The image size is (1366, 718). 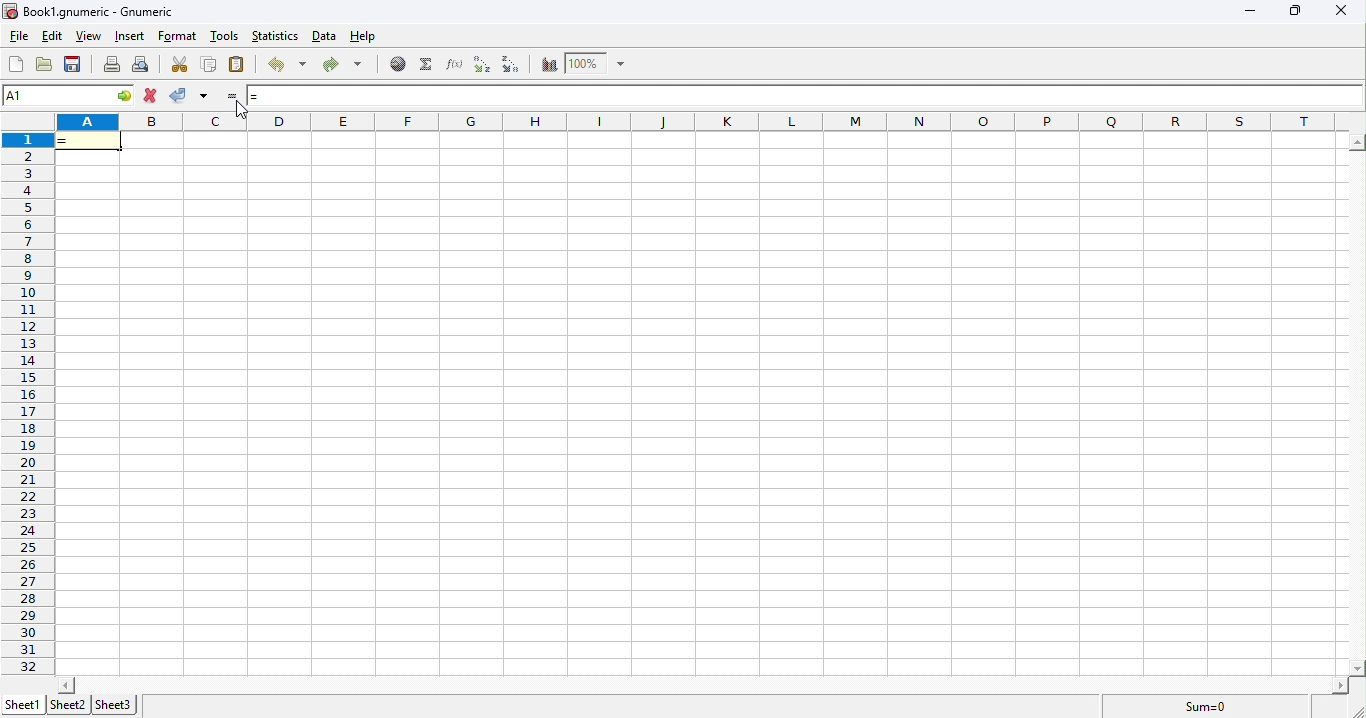 What do you see at coordinates (181, 66) in the screenshot?
I see `cut` at bounding box center [181, 66].